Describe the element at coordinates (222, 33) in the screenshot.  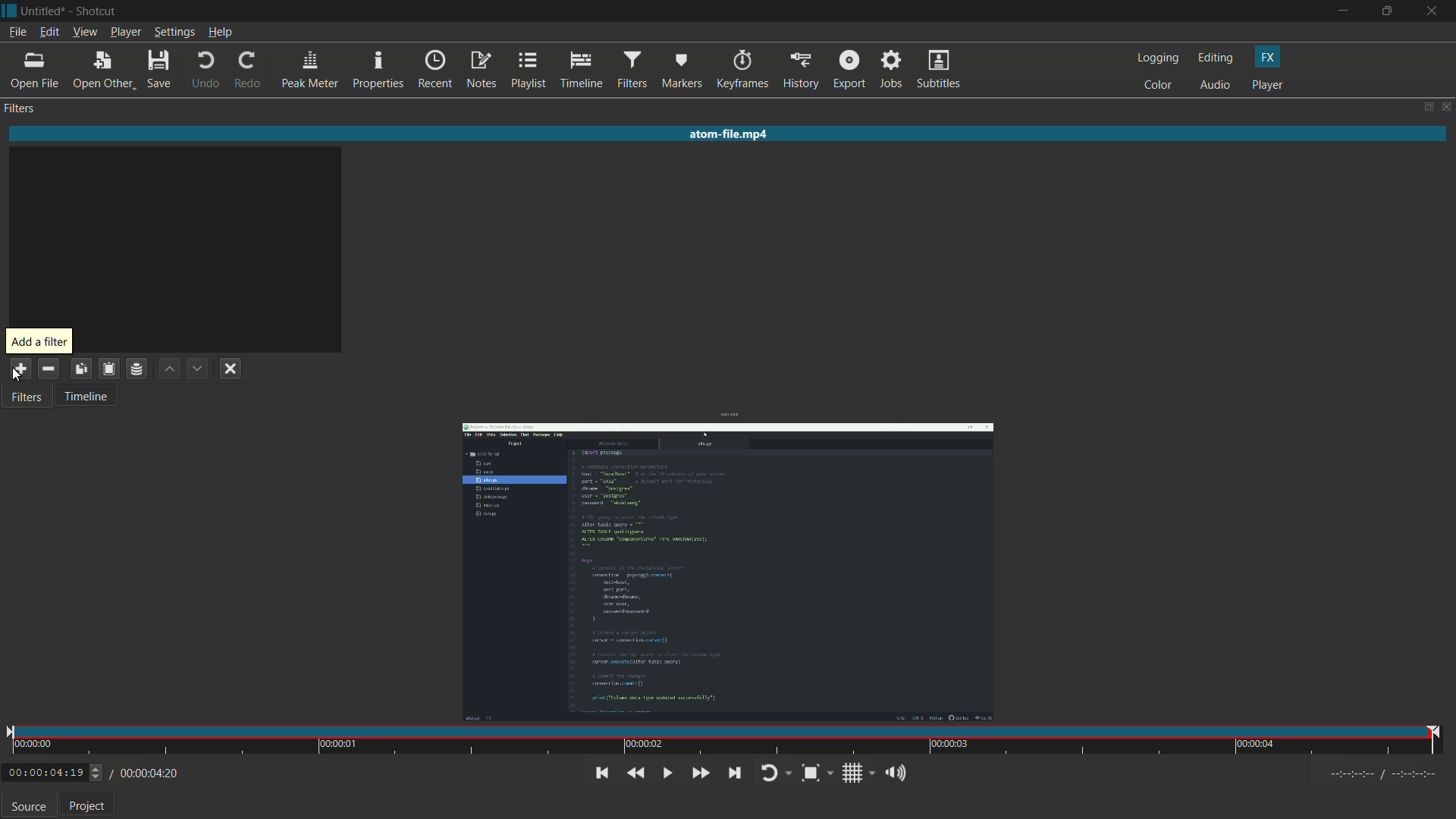
I see `help menu` at that location.